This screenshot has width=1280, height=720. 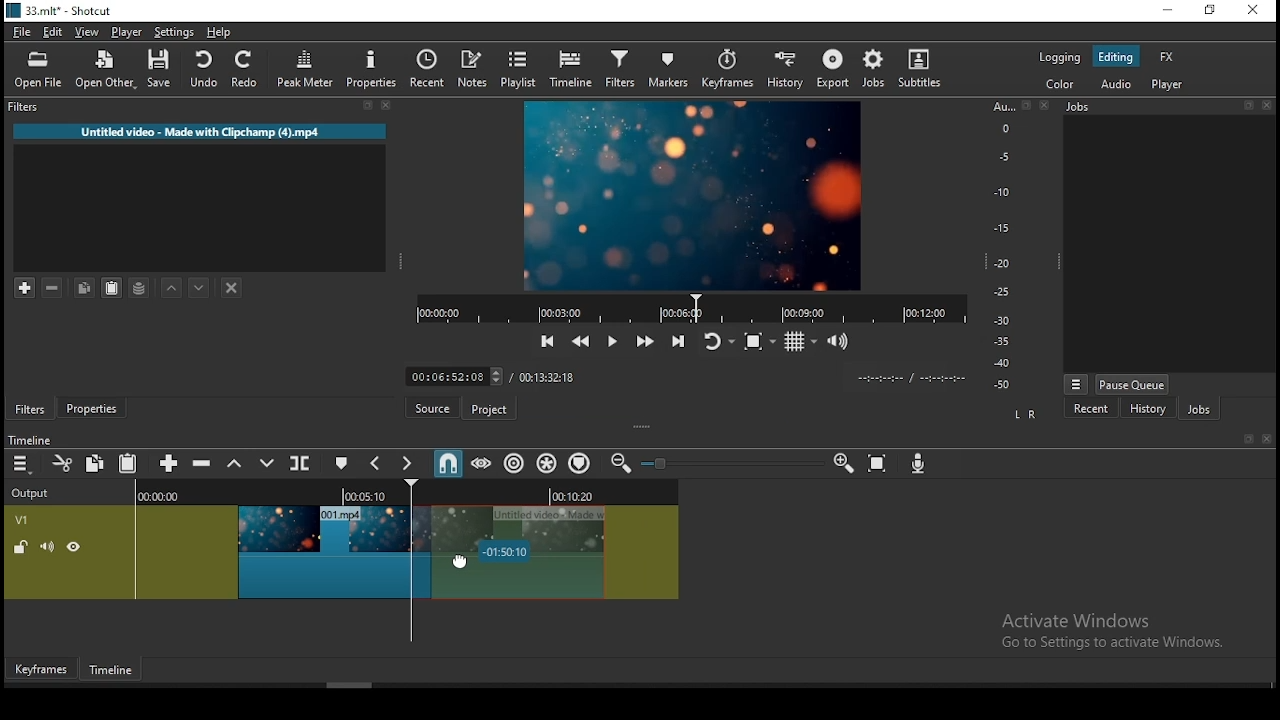 What do you see at coordinates (129, 464) in the screenshot?
I see `paste` at bounding box center [129, 464].